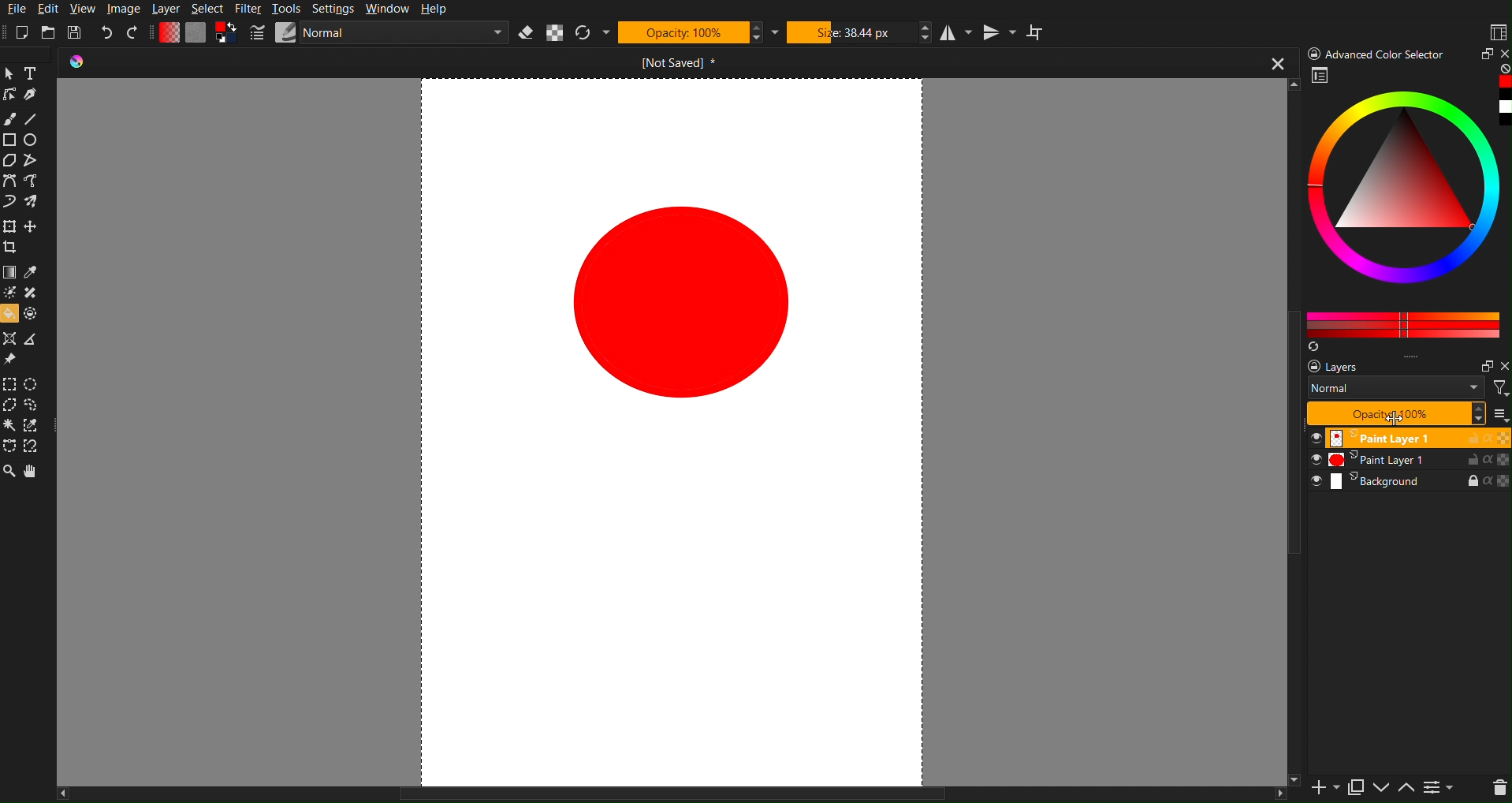 Image resolution: width=1512 pixels, height=803 pixels. I want to click on Dynamic Brush, so click(9, 200).